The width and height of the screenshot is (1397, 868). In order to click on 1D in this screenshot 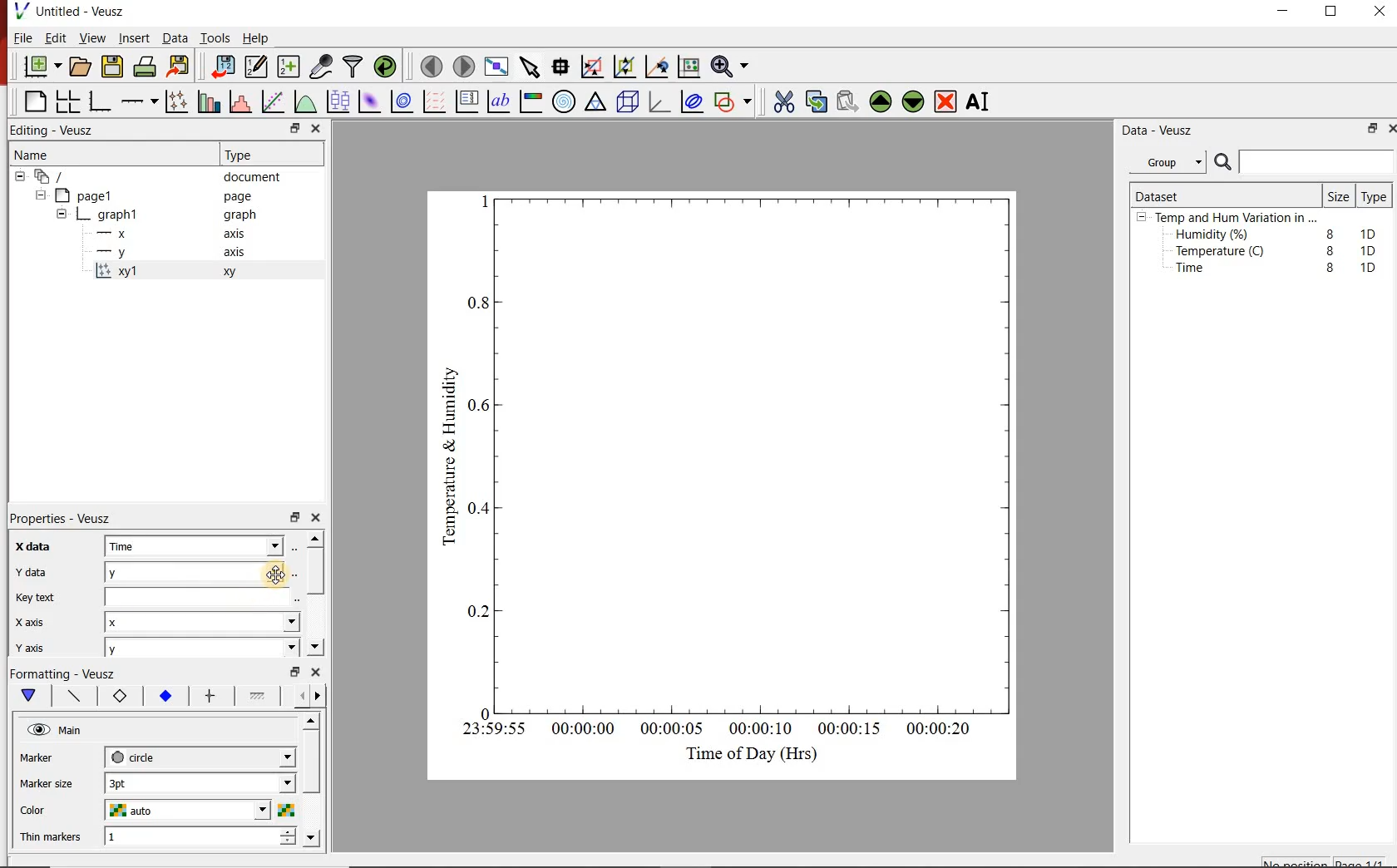, I will do `click(1368, 267)`.